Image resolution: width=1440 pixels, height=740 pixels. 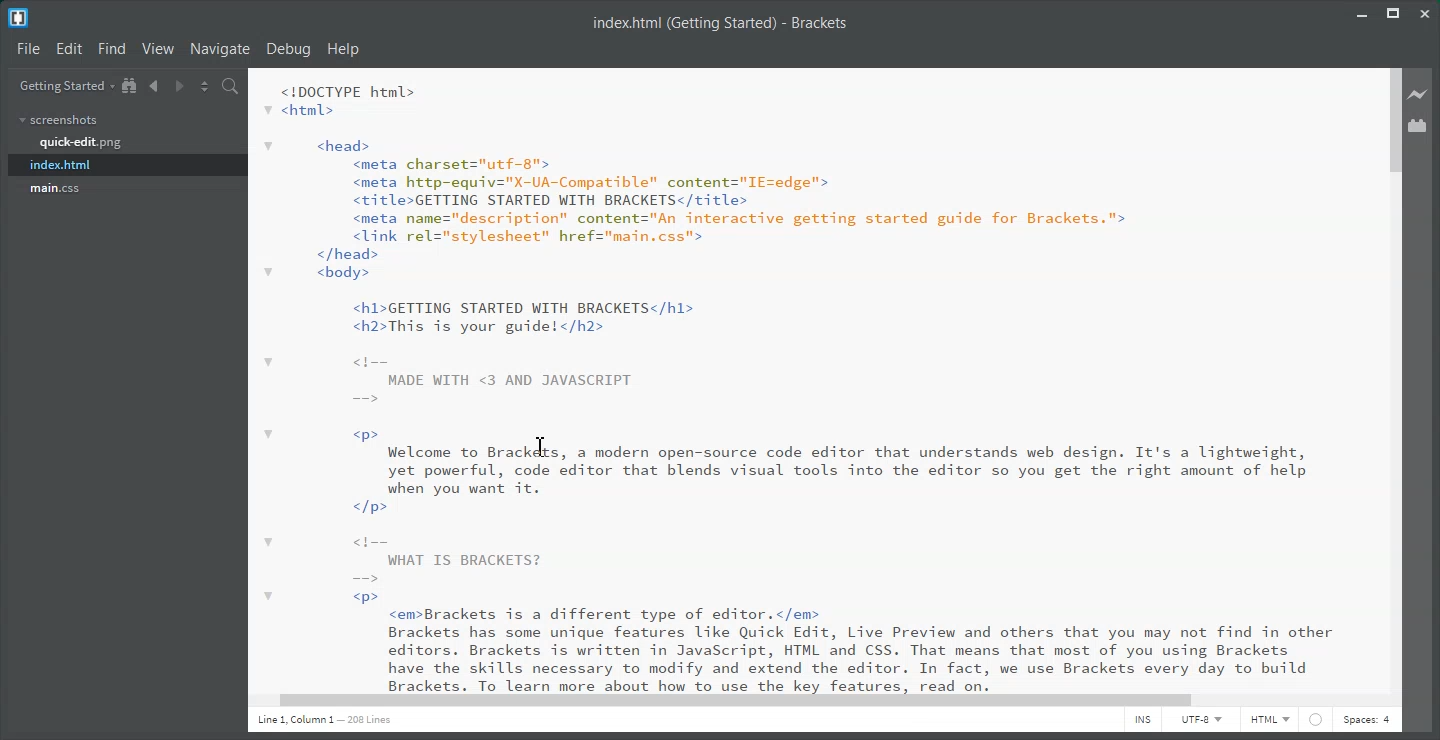 What do you see at coordinates (131, 86) in the screenshot?
I see `Show in file tree` at bounding box center [131, 86].